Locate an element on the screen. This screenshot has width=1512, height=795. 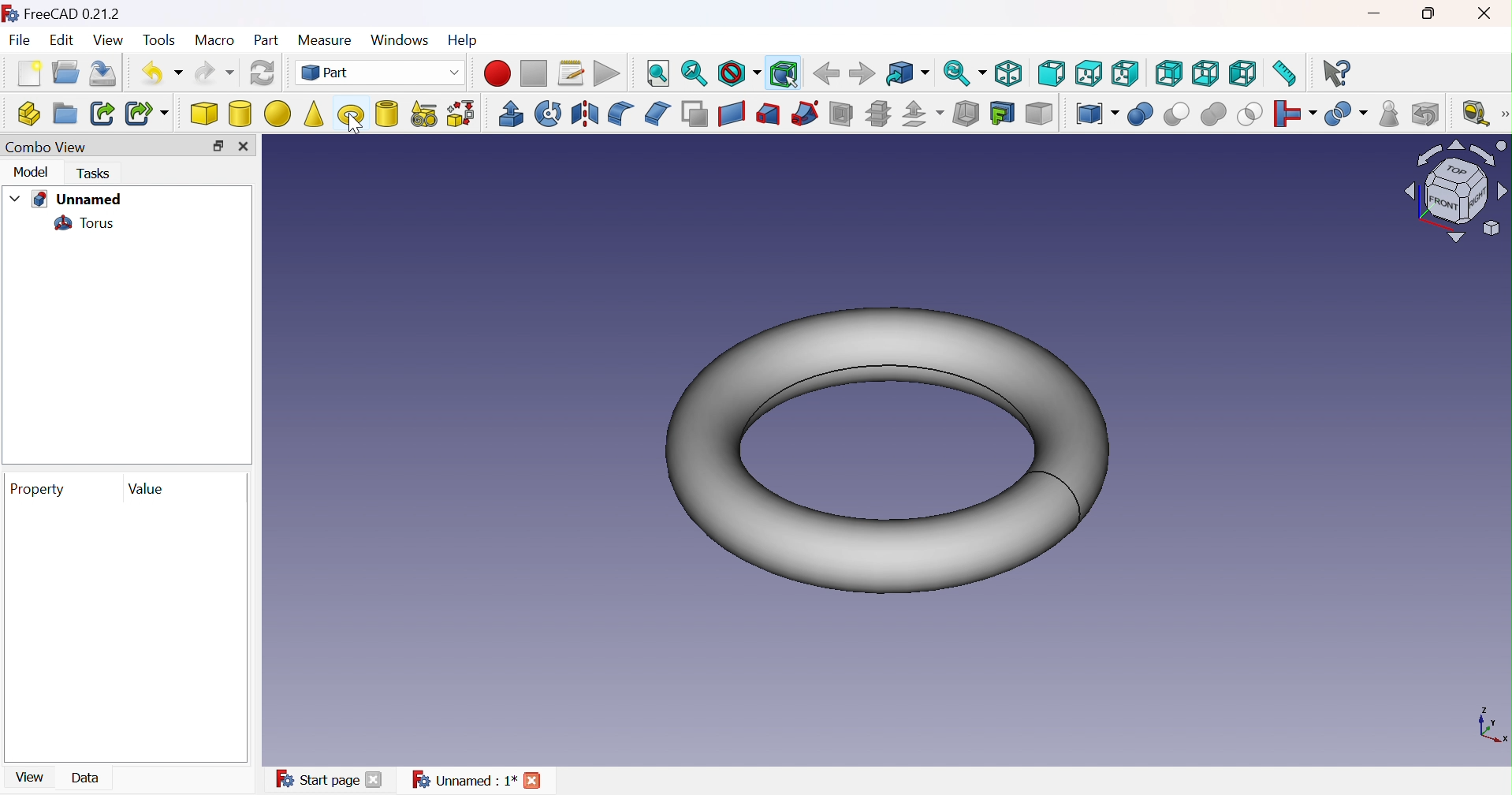
Save is located at coordinates (104, 73).